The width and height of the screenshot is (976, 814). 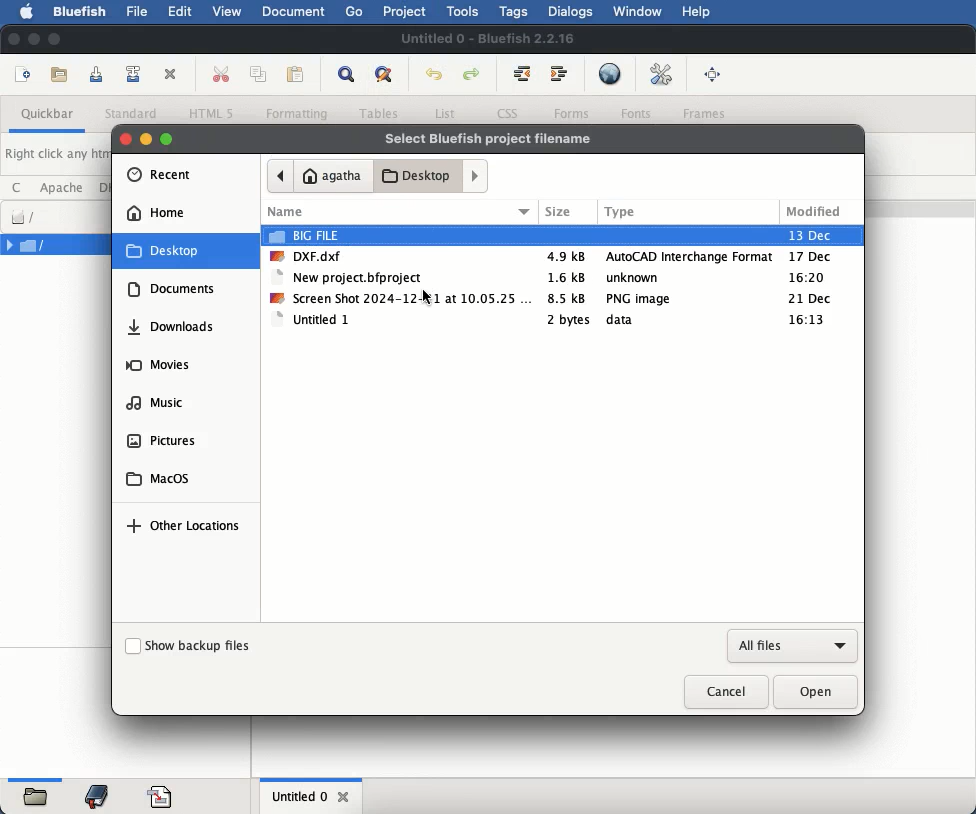 I want to click on redo, so click(x=474, y=75).